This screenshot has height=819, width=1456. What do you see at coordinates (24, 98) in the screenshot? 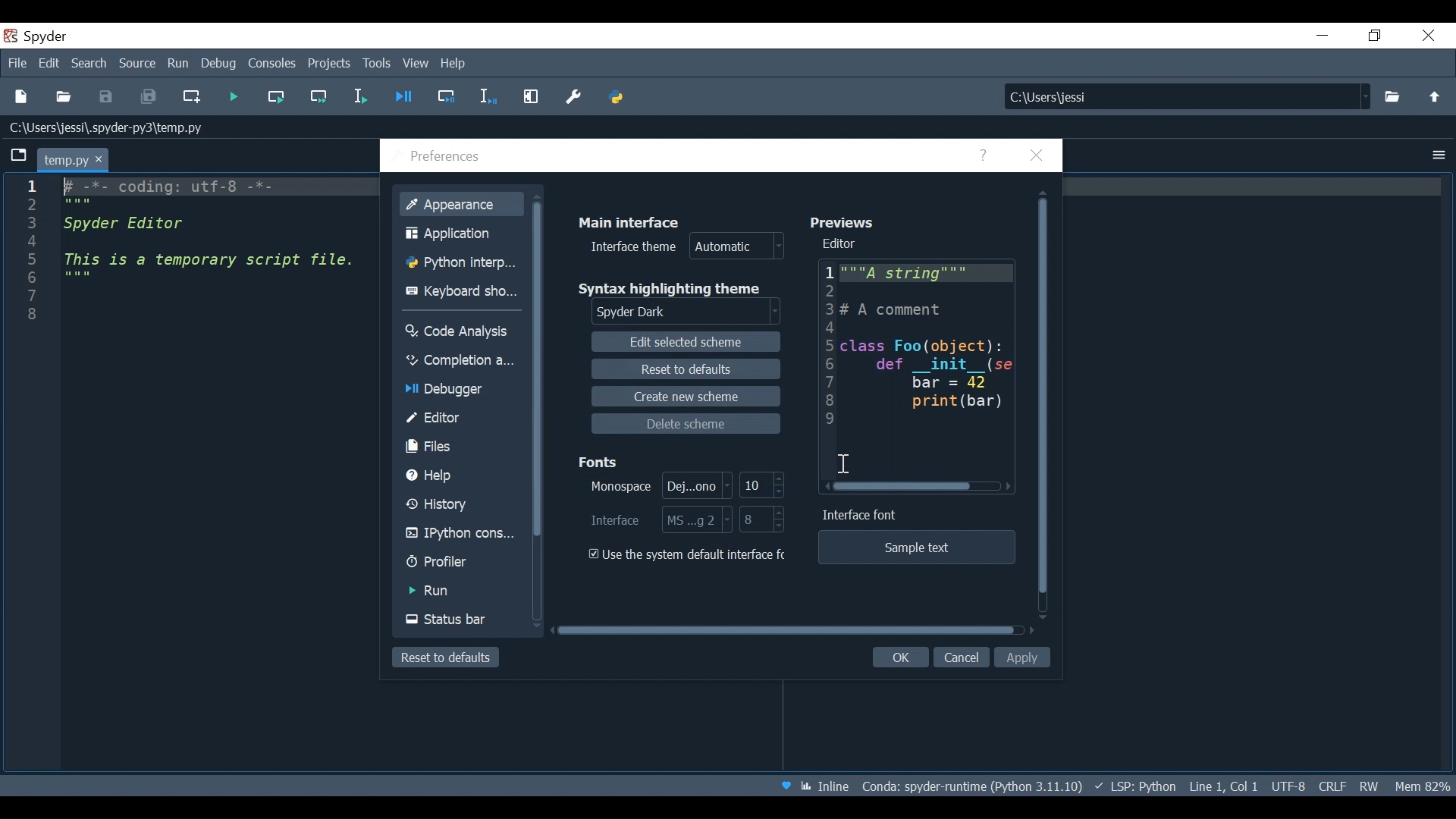
I see `New File` at bounding box center [24, 98].